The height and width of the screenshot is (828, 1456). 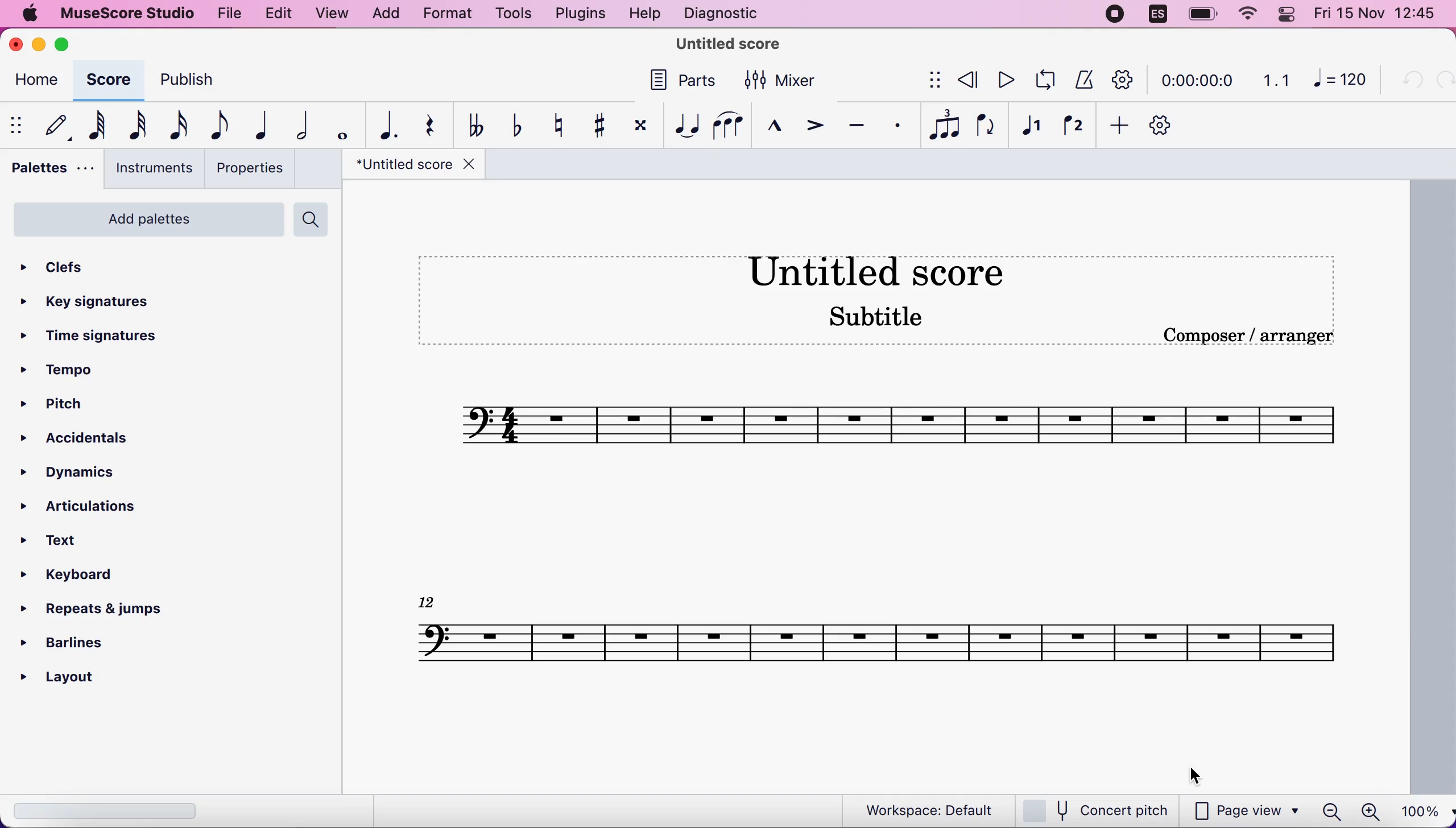 I want to click on metronome, so click(x=1086, y=80).